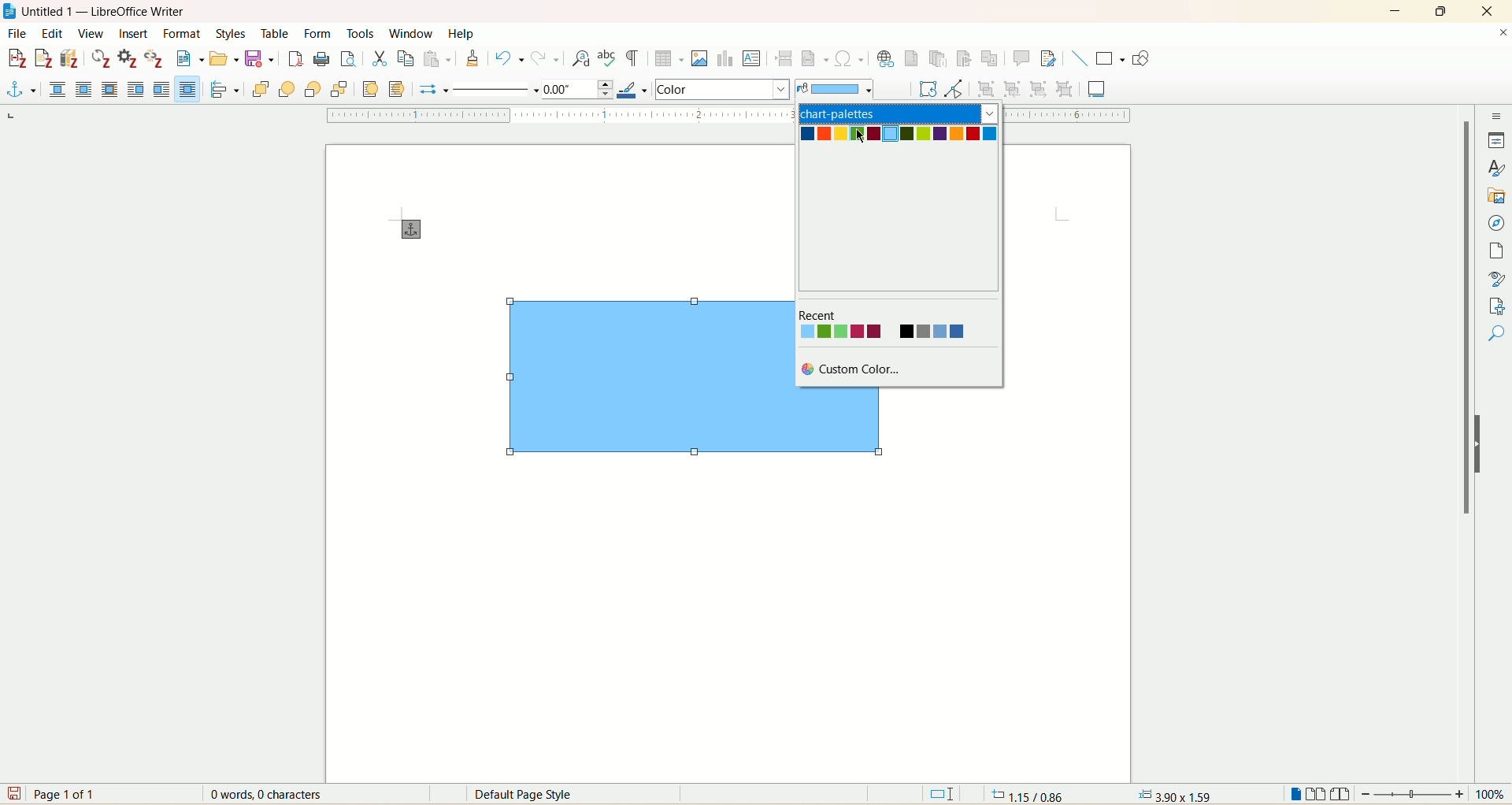 This screenshot has width=1512, height=805. I want to click on window, so click(412, 32).